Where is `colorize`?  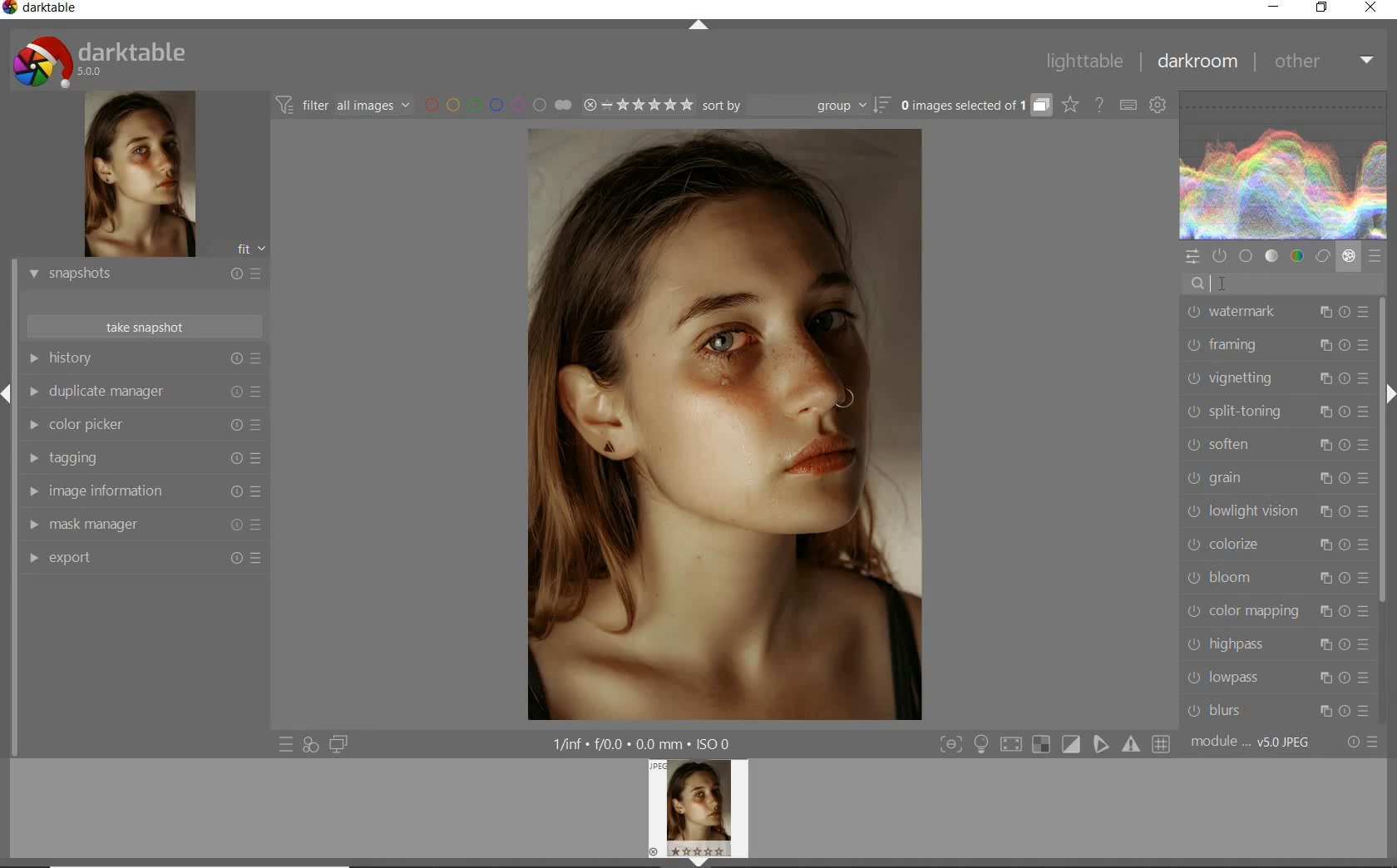
colorize is located at coordinates (1275, 543).